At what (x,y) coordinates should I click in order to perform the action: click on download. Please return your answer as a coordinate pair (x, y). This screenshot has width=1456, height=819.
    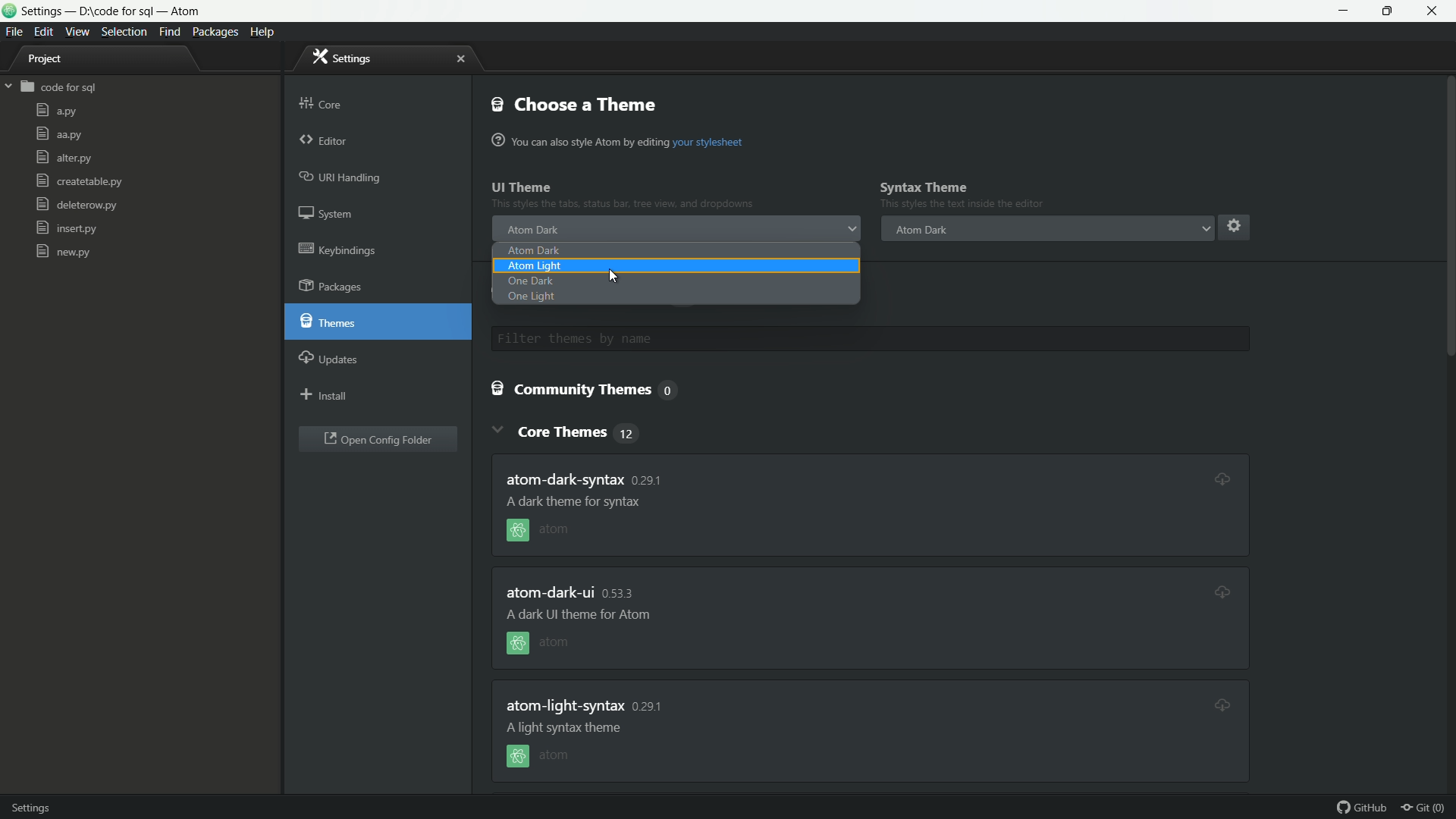
    Looking at the image, I should click on (1221, 588).